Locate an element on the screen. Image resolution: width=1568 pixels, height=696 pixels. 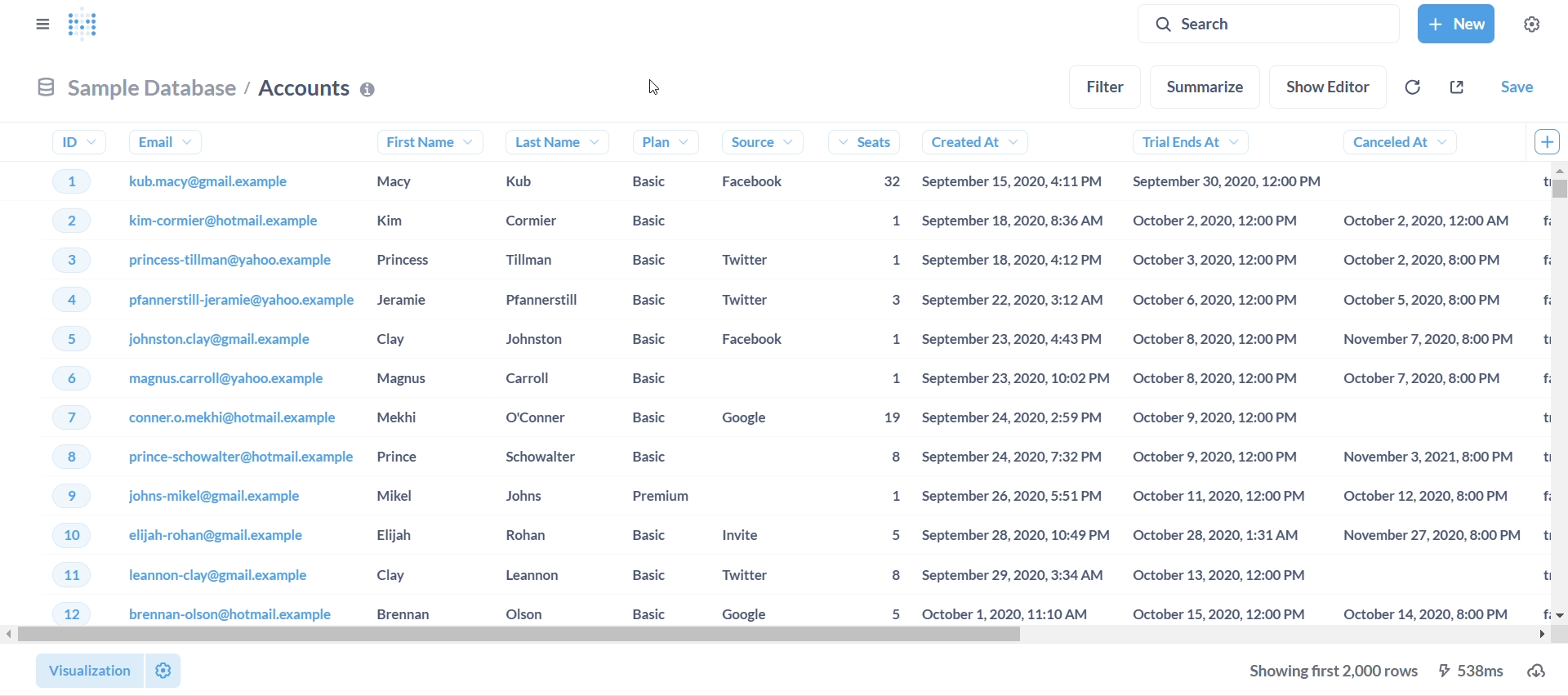
logo is located at coordinates (84, 27).